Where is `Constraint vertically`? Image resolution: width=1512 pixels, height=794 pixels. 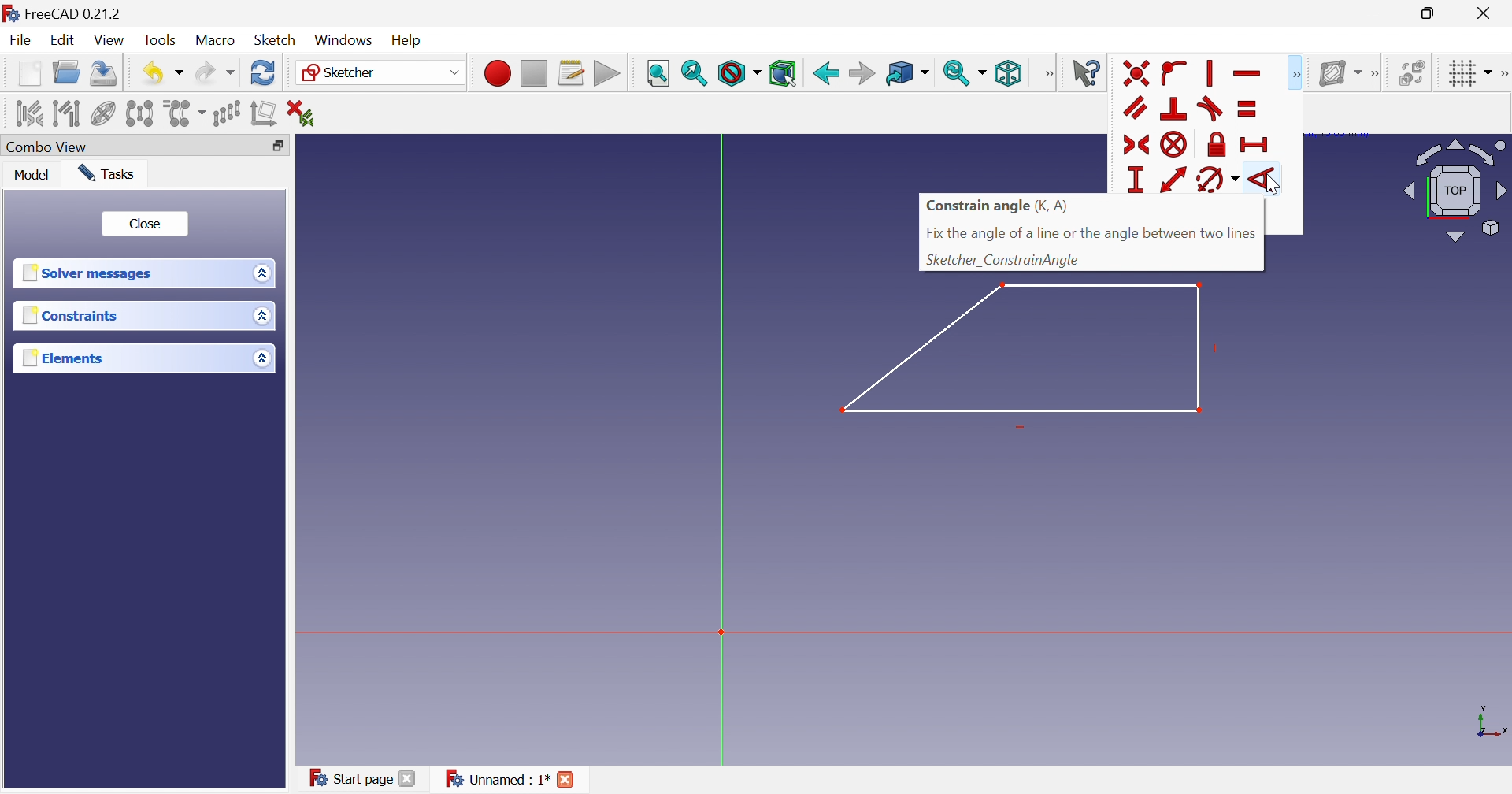
Constraint vertically is located at coordinates (1212, 72).